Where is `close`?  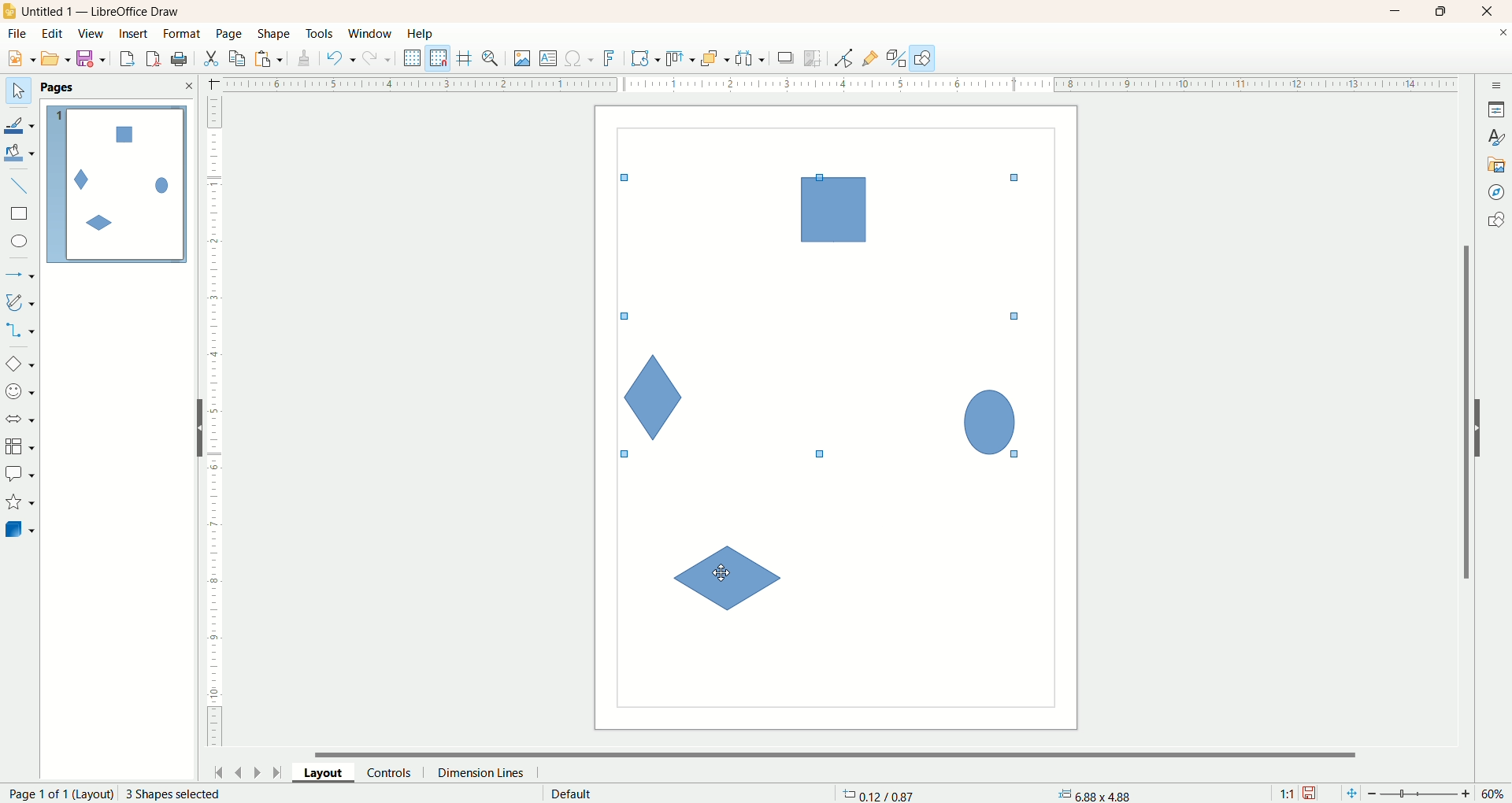
close is located at coordinates (188, 86).